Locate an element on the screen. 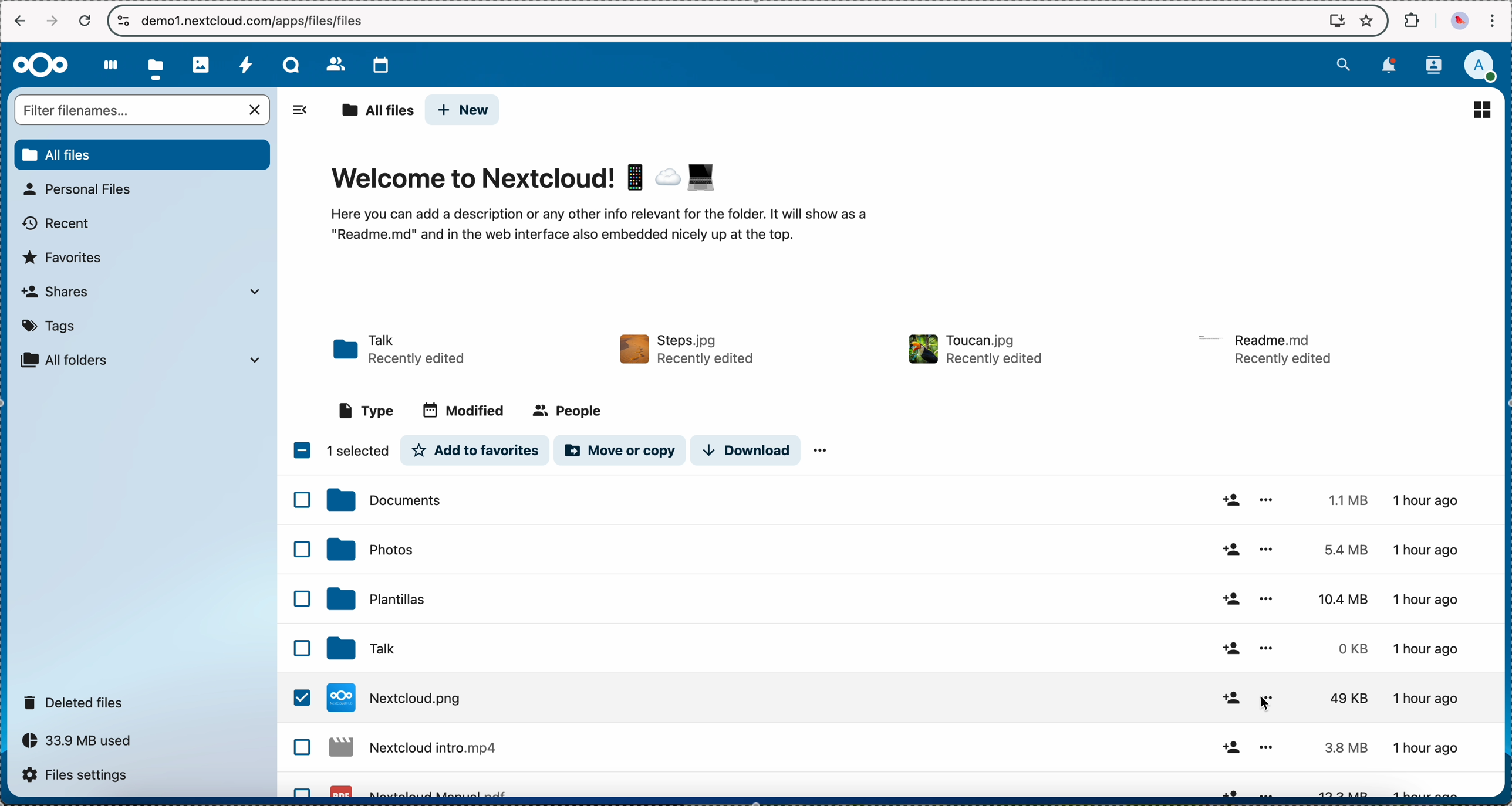  file is located at coordinates (689, 350).